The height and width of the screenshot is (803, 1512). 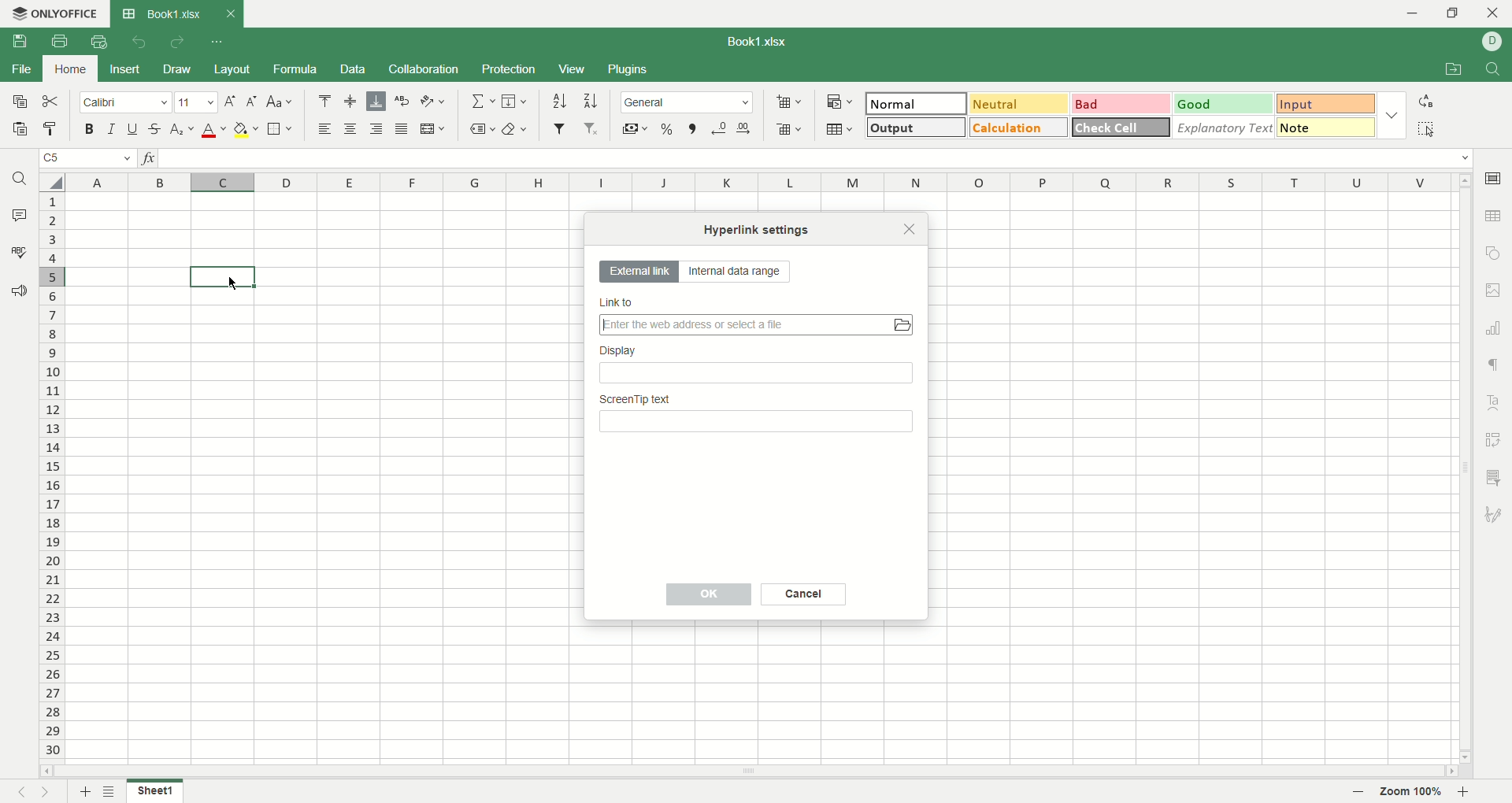 I want to click on insert function, so click(x=152, y=160).